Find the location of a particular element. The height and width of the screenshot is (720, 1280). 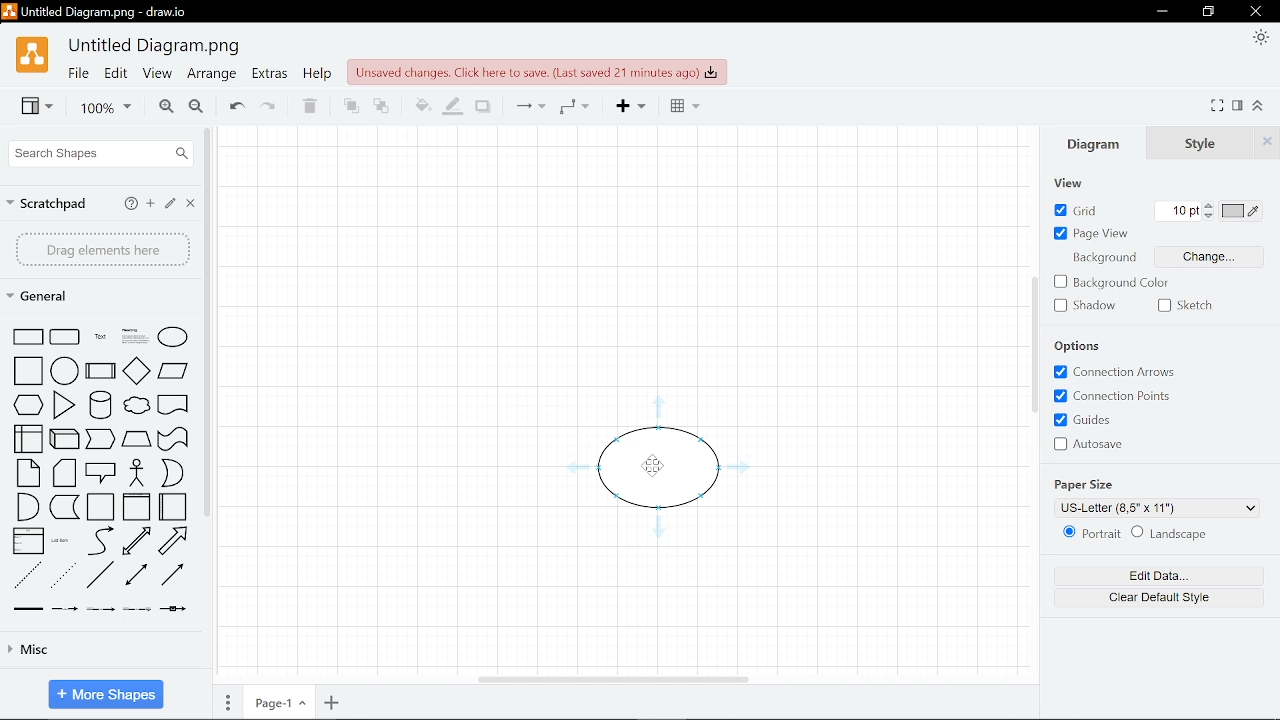

Table is located at coordinates (680, 105).